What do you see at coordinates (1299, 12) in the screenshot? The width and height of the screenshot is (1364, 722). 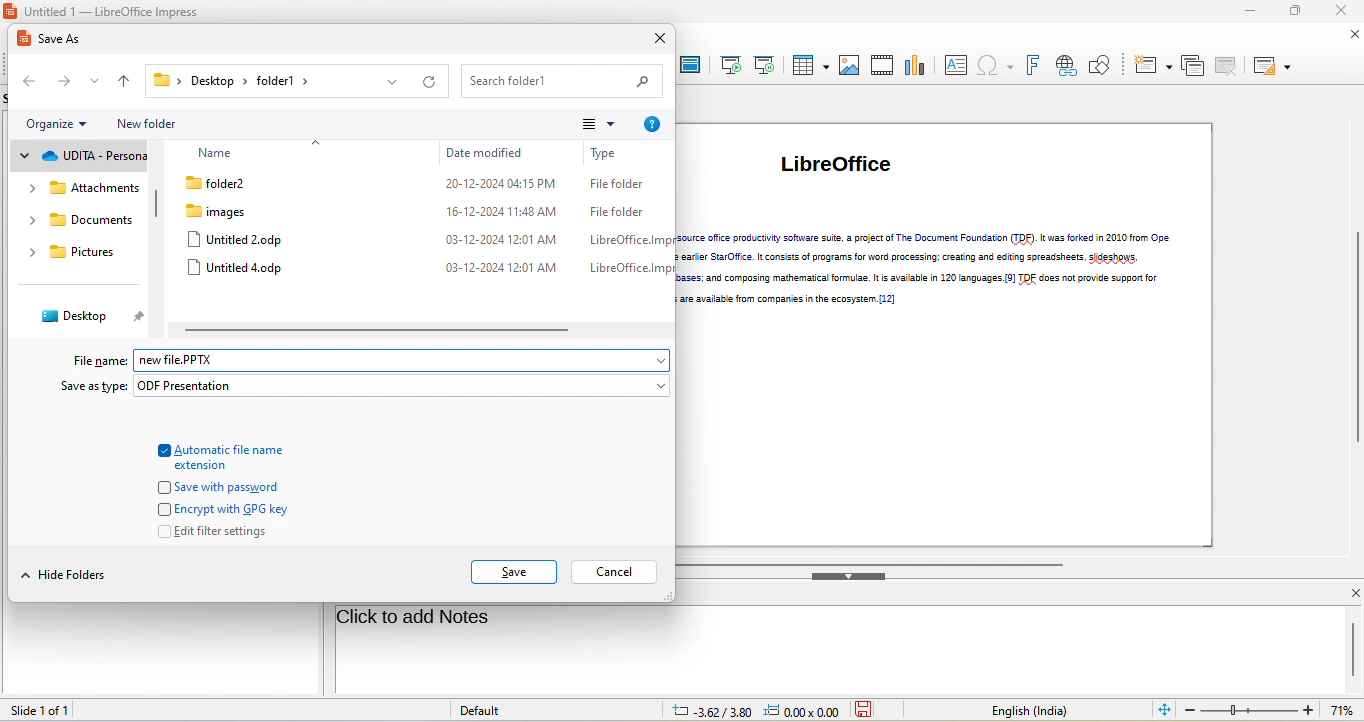 I see `maximize` at bounding box center [1299, 12].